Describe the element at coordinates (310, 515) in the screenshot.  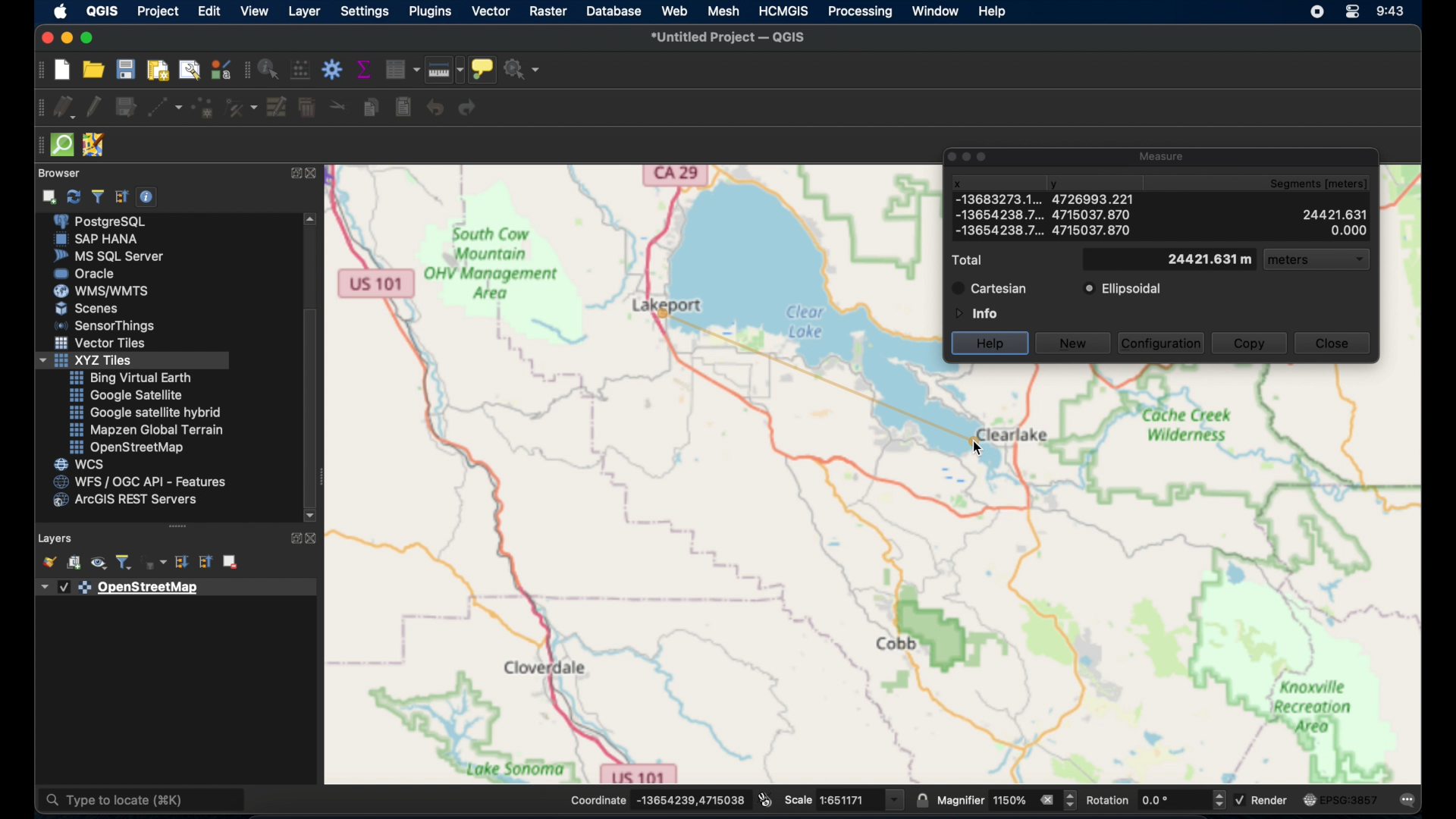
I see `scroll down arrow` at that location.